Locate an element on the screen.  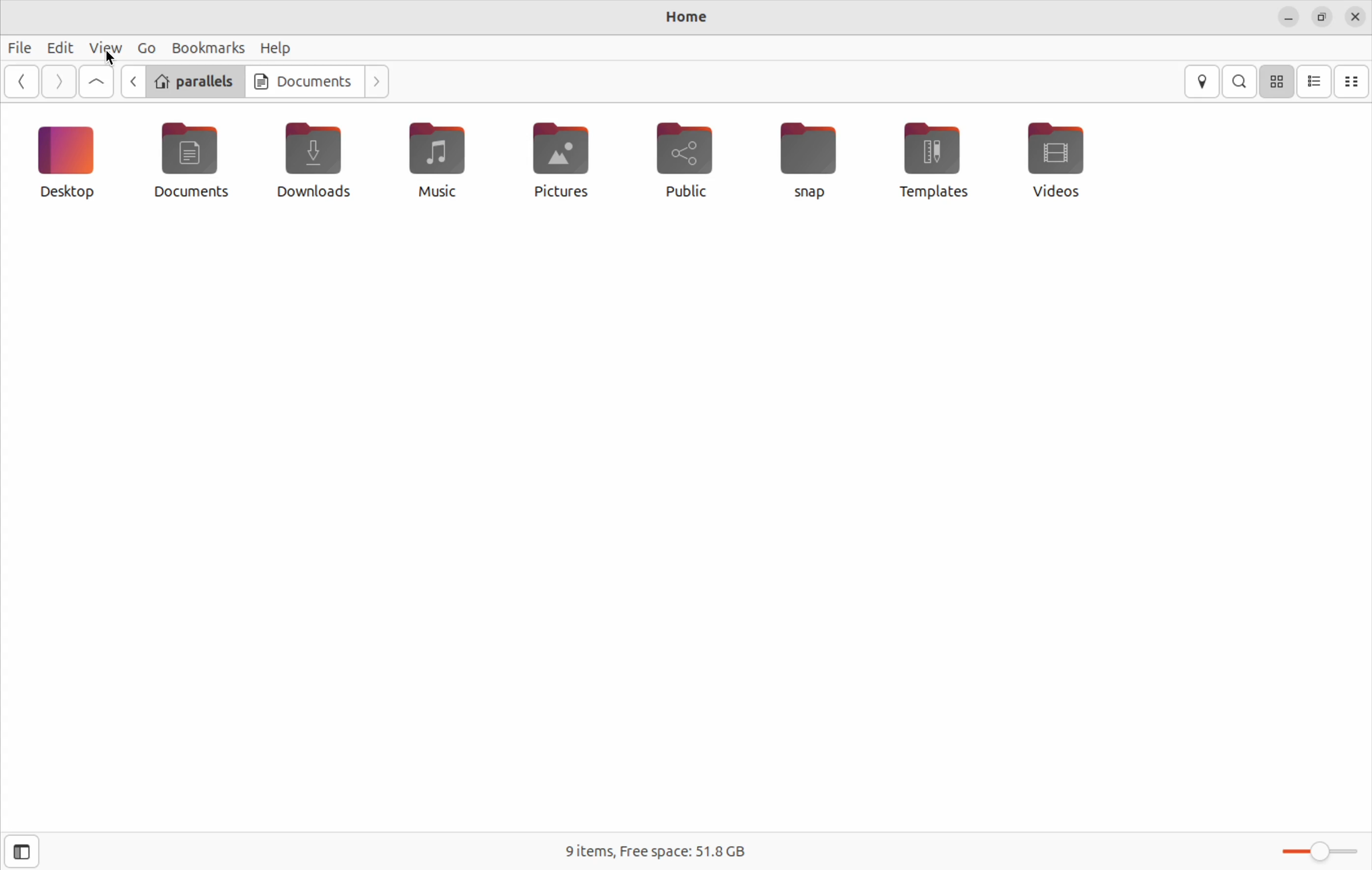
bookmarks is located at coordinates (208, 47).